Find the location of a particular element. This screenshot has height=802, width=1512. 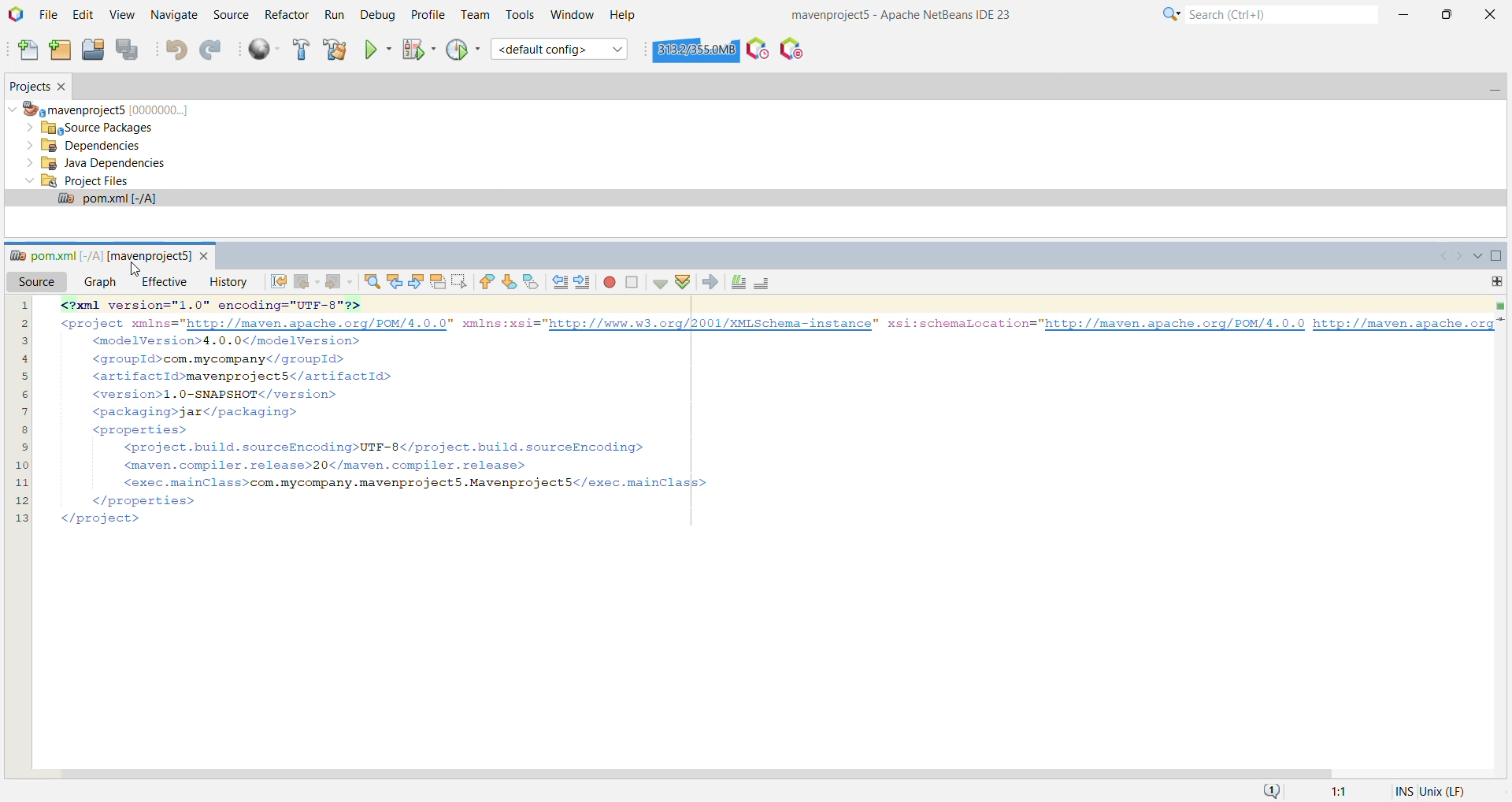

</properties> is located at coordinates (142, 499).